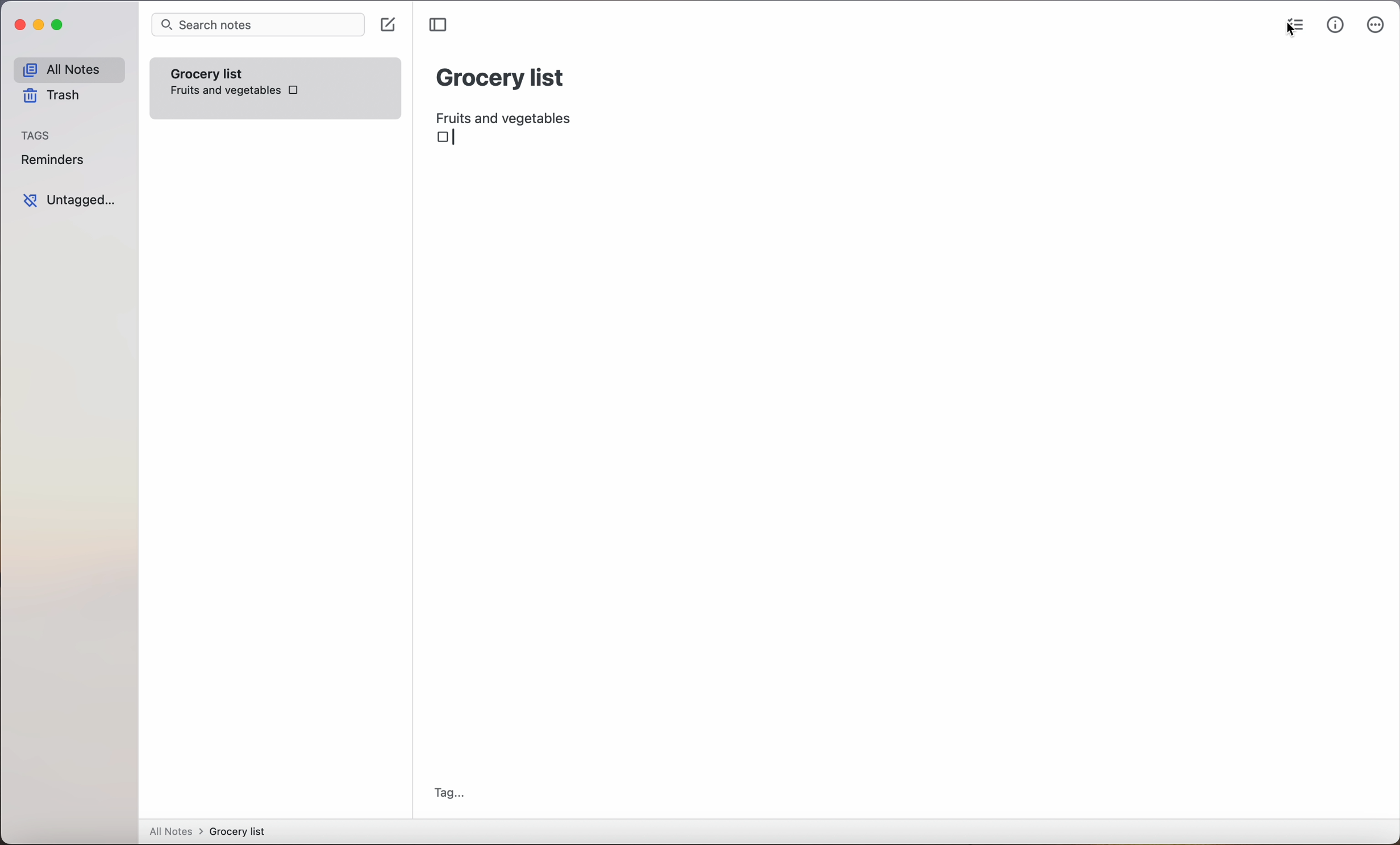 The height and width of the screenshot is (845, 1400). Describe the element at coordinates (223, 81) in the screenshot. I see `grocery list fruits and vegetables` at that location.